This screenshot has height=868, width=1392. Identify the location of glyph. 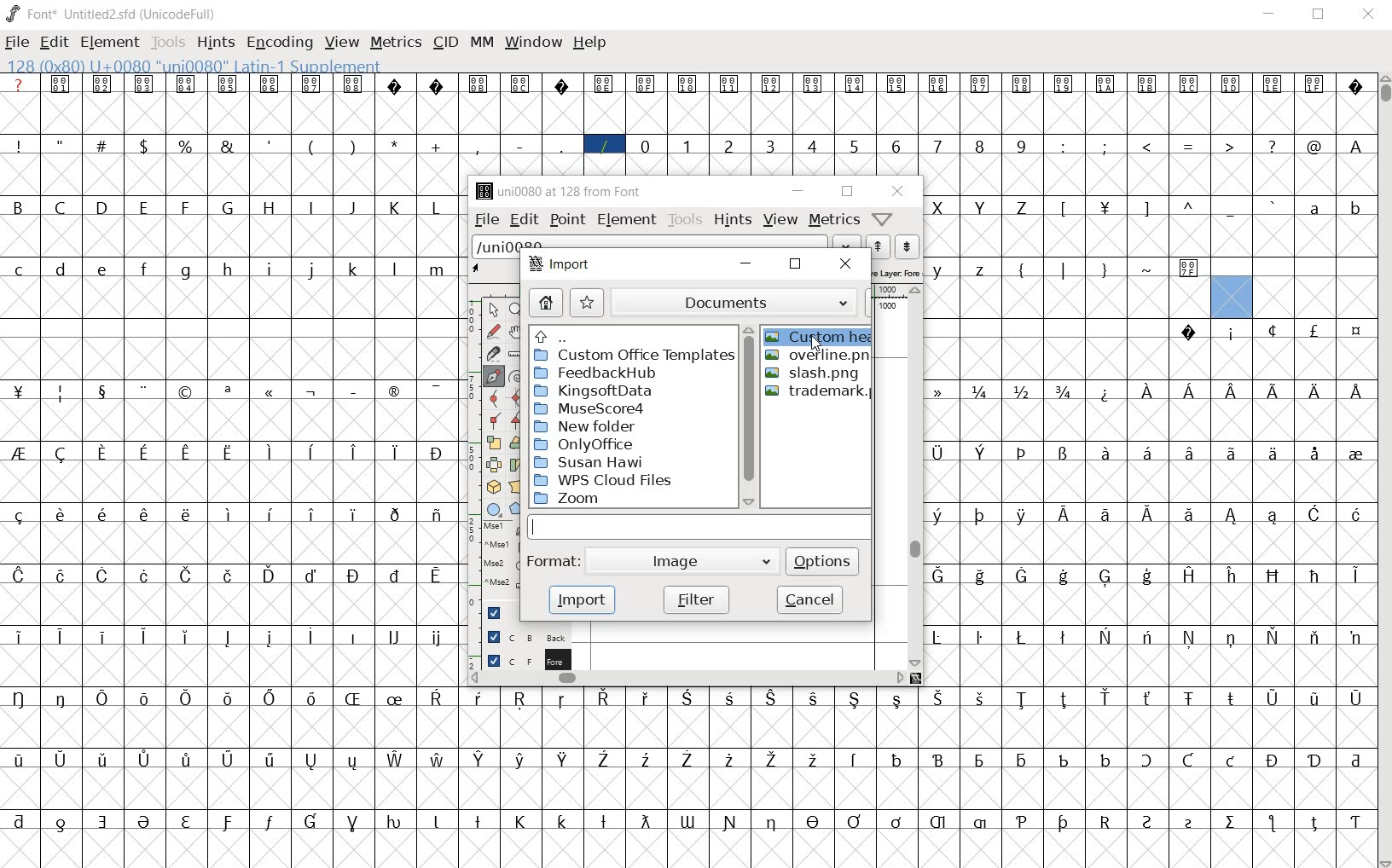
(19, 516).